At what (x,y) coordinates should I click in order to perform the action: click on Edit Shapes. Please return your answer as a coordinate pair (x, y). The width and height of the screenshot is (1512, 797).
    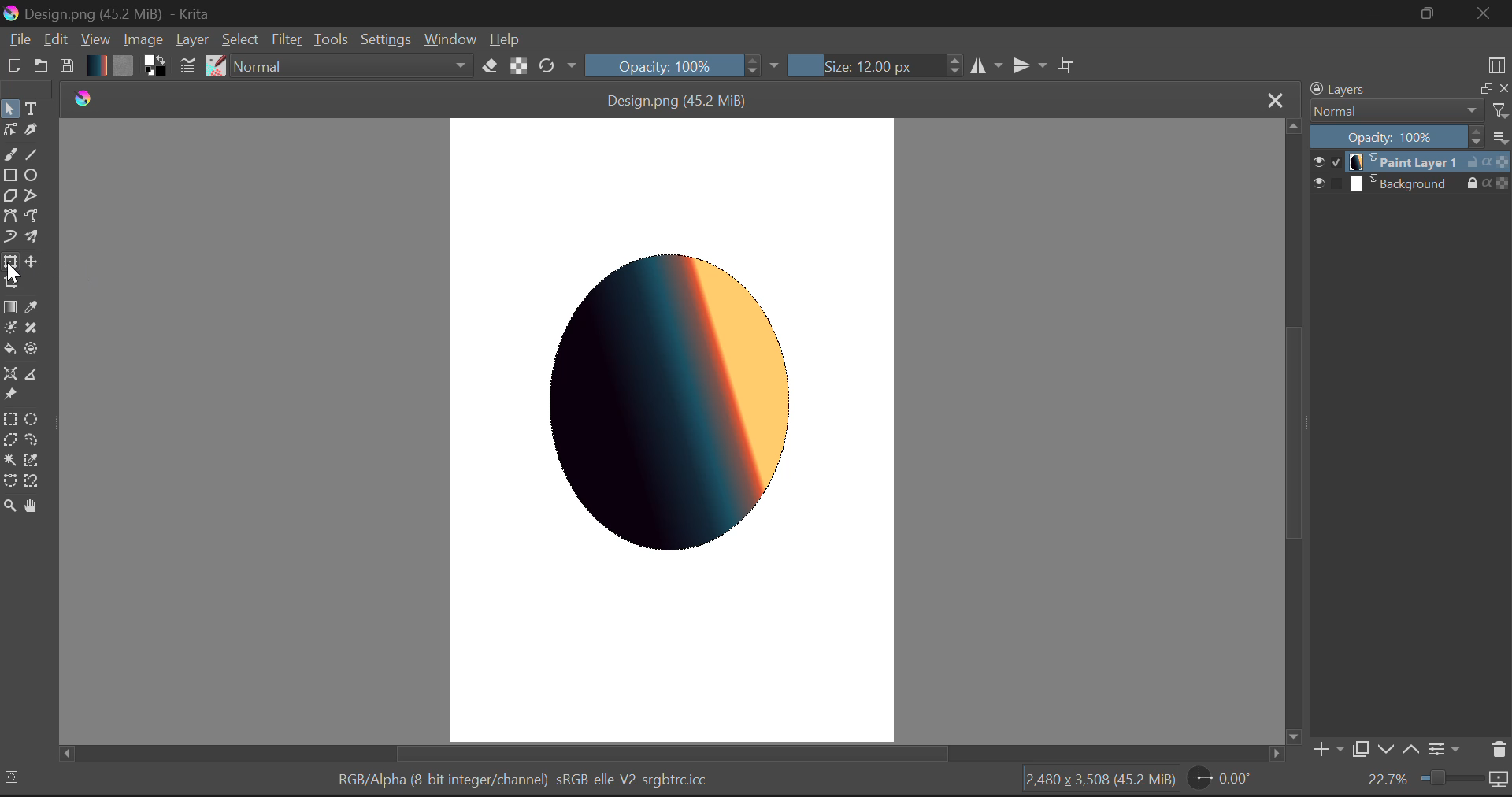
    Looking at the image, I should click on (9, 128).